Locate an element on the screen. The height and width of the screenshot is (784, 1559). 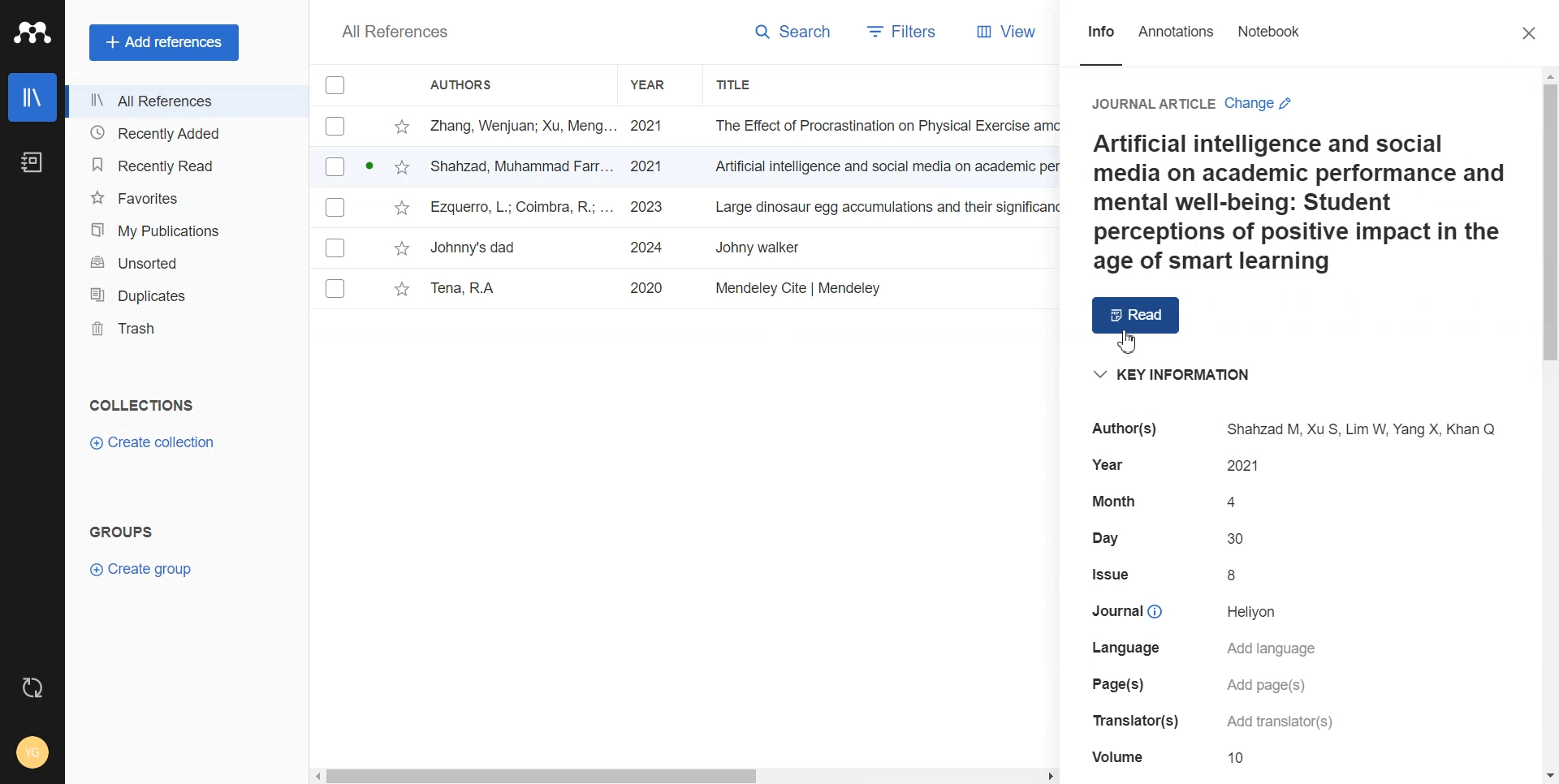
Read is located at coordinates (1138, 315).